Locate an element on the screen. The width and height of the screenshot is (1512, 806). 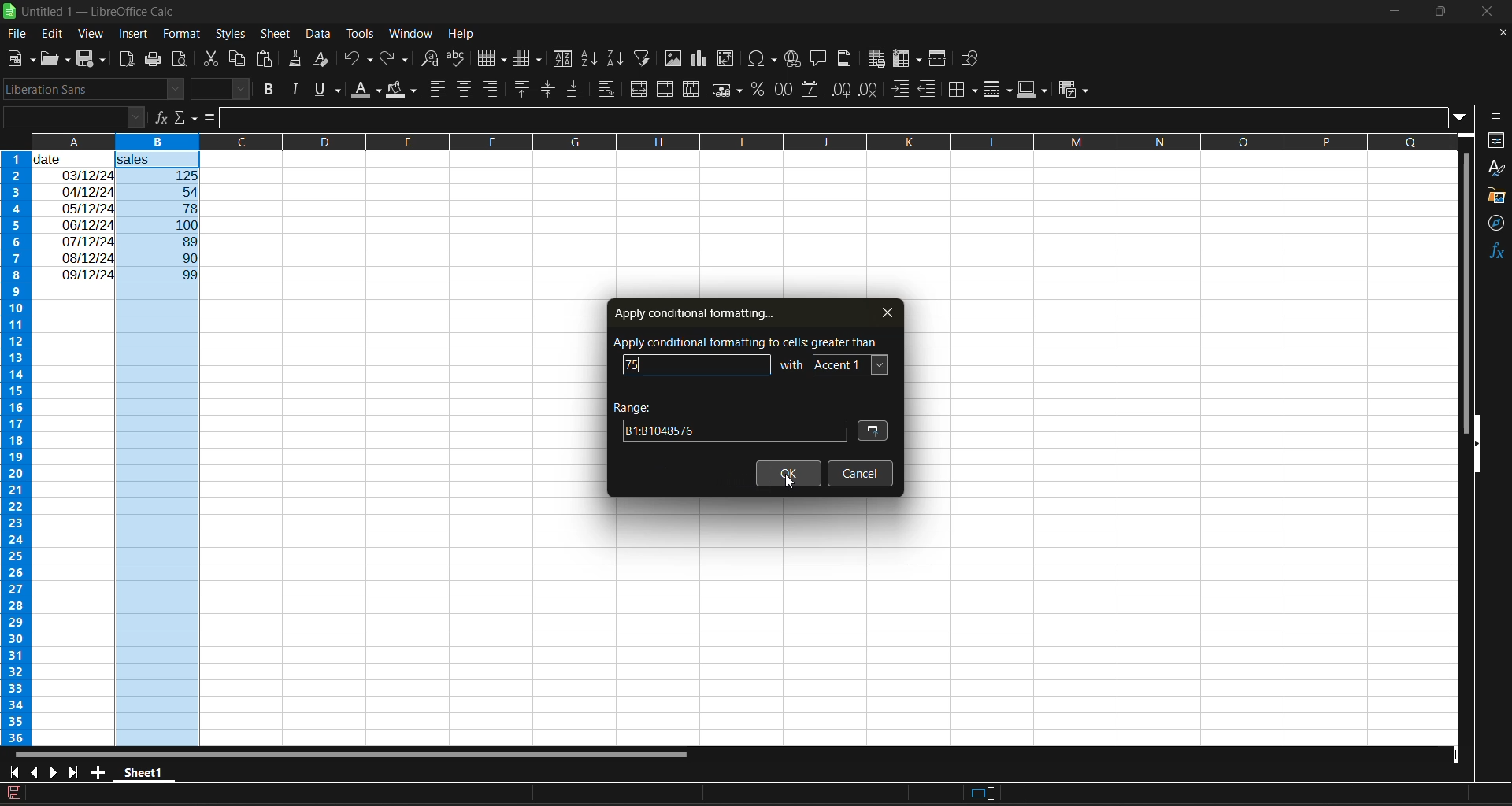
close document is located at coordinates (1499, 33).